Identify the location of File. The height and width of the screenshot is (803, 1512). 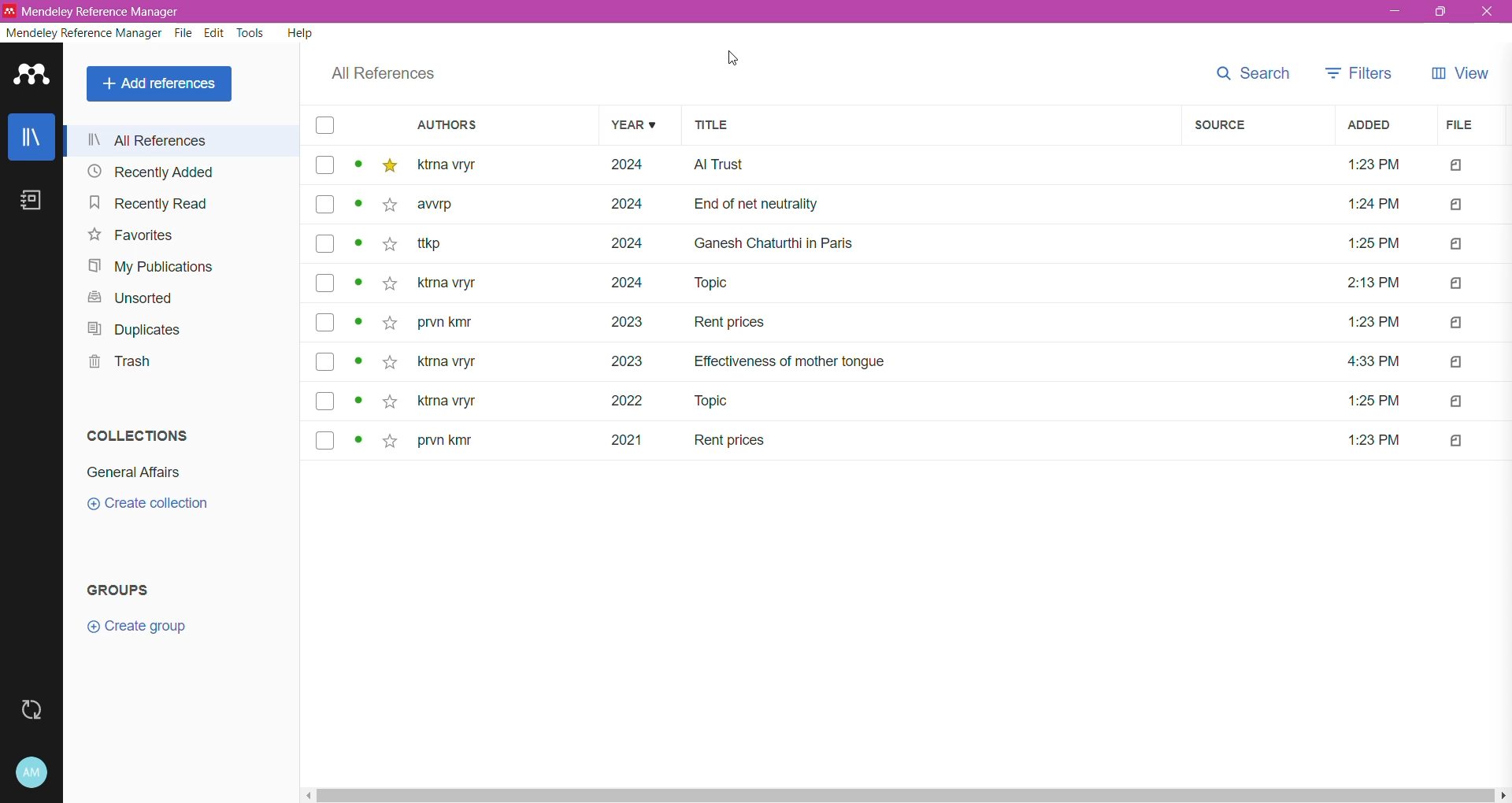
(184, 33).